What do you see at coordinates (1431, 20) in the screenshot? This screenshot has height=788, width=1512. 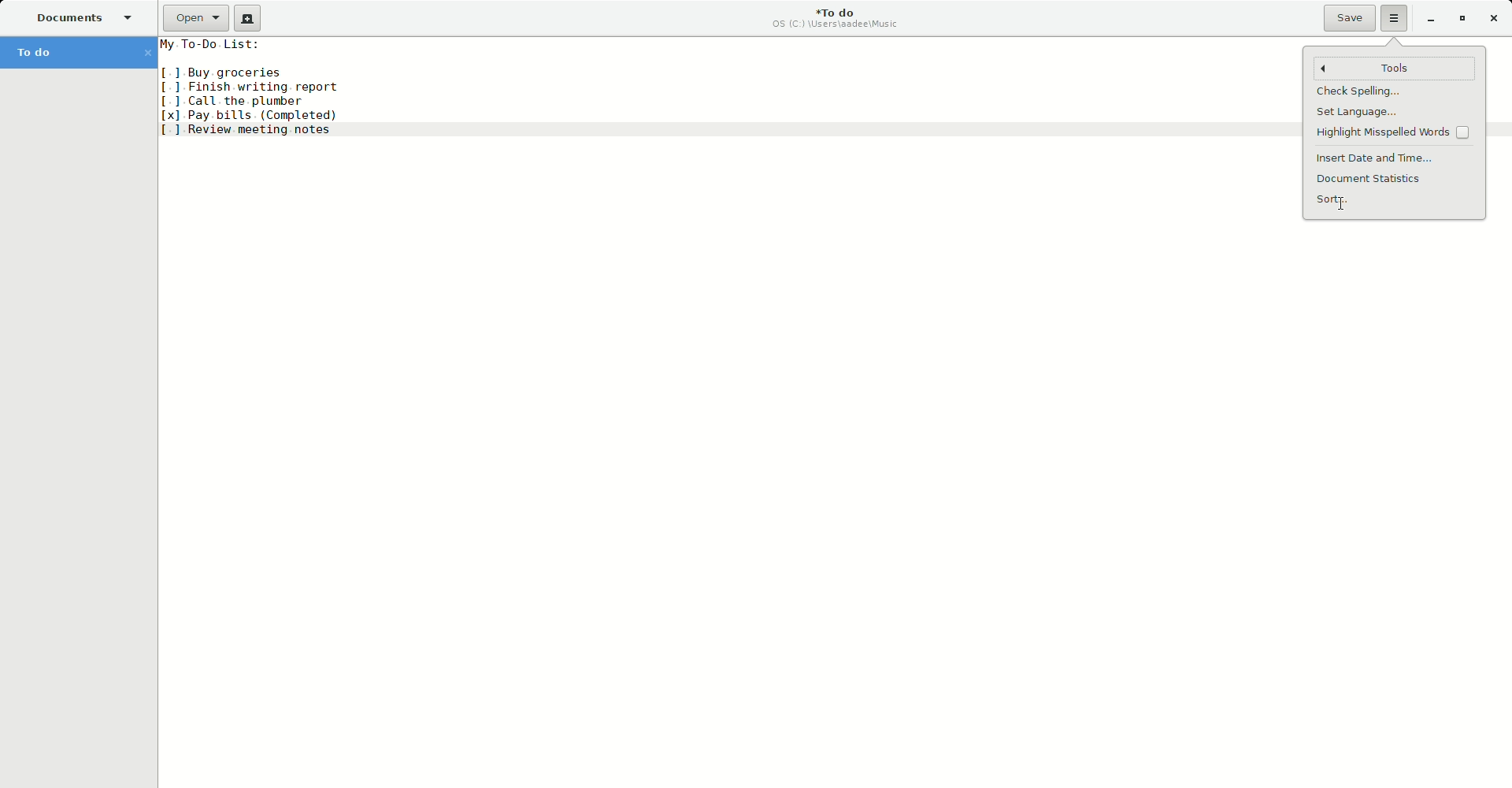 I see `Minimize` at bounding box center [1431, 20].